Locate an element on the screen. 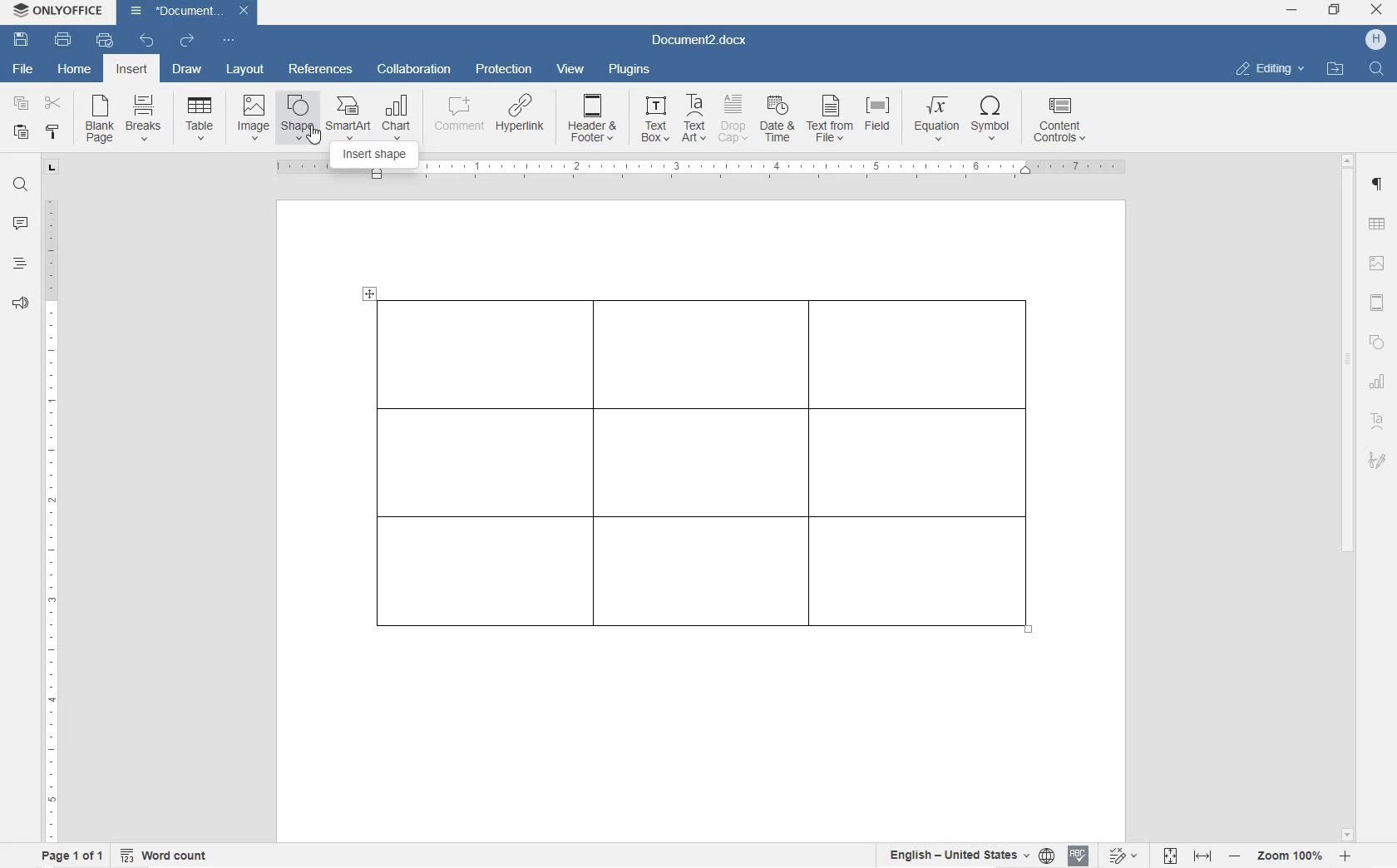  references is located at coordinates (320, 69).